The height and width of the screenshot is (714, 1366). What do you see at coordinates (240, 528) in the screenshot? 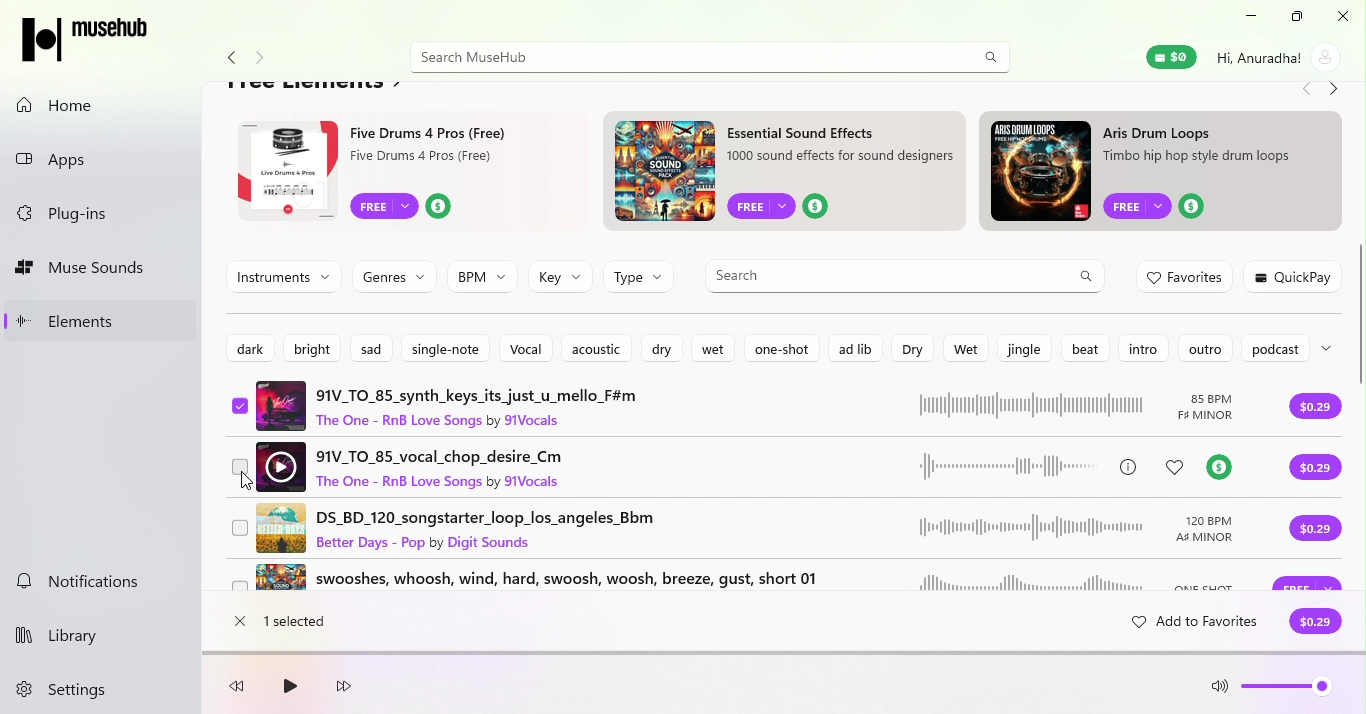
I see `Select musi` at bounding box center [240, 528].